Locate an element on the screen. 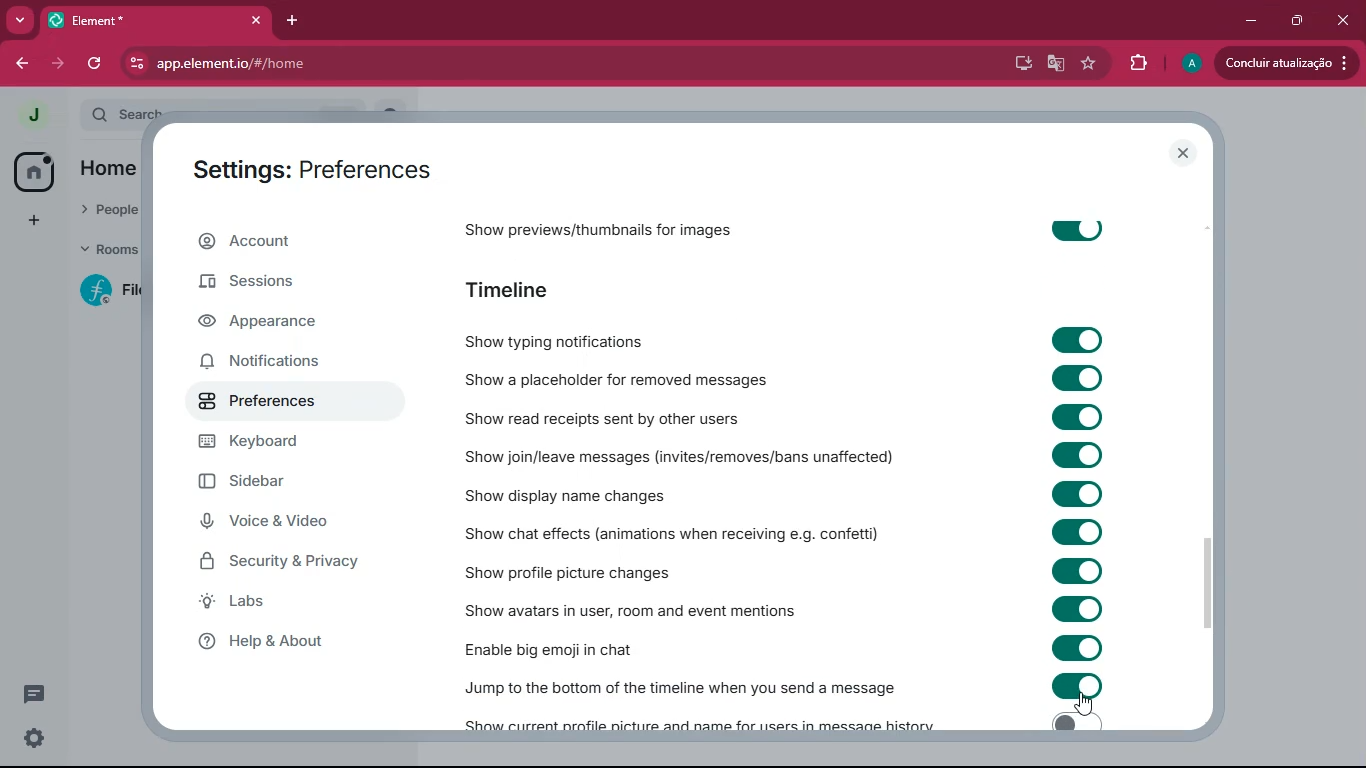 This screenshot has width=1366, height=768. show avatars in user, room and event mentions is located at coordinates (638, 608).